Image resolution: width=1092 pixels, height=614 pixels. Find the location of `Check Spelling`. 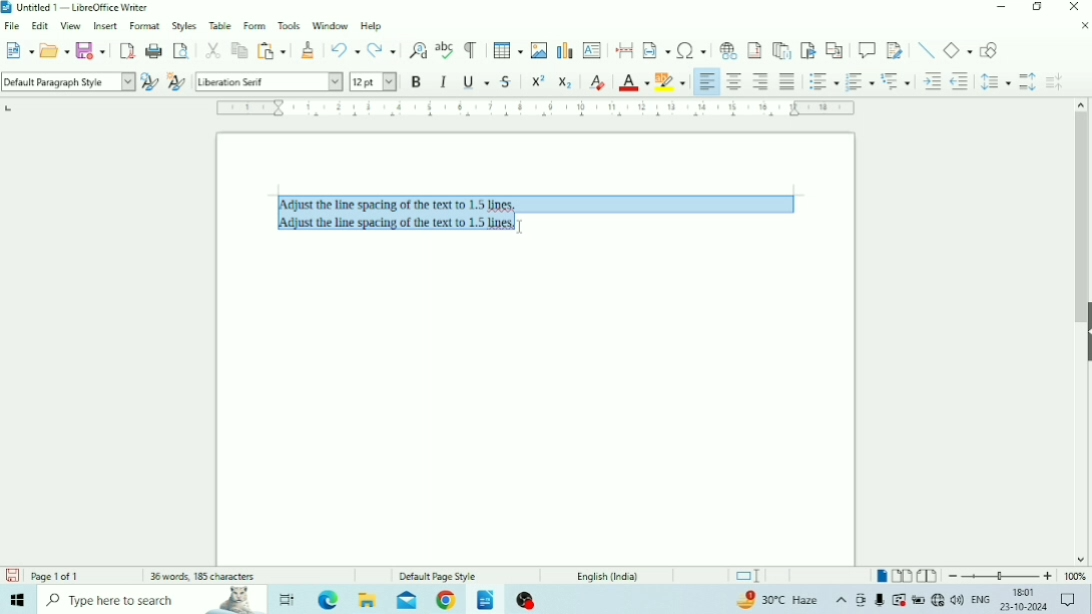

Check Spelling is located at coordinates (445, 50).